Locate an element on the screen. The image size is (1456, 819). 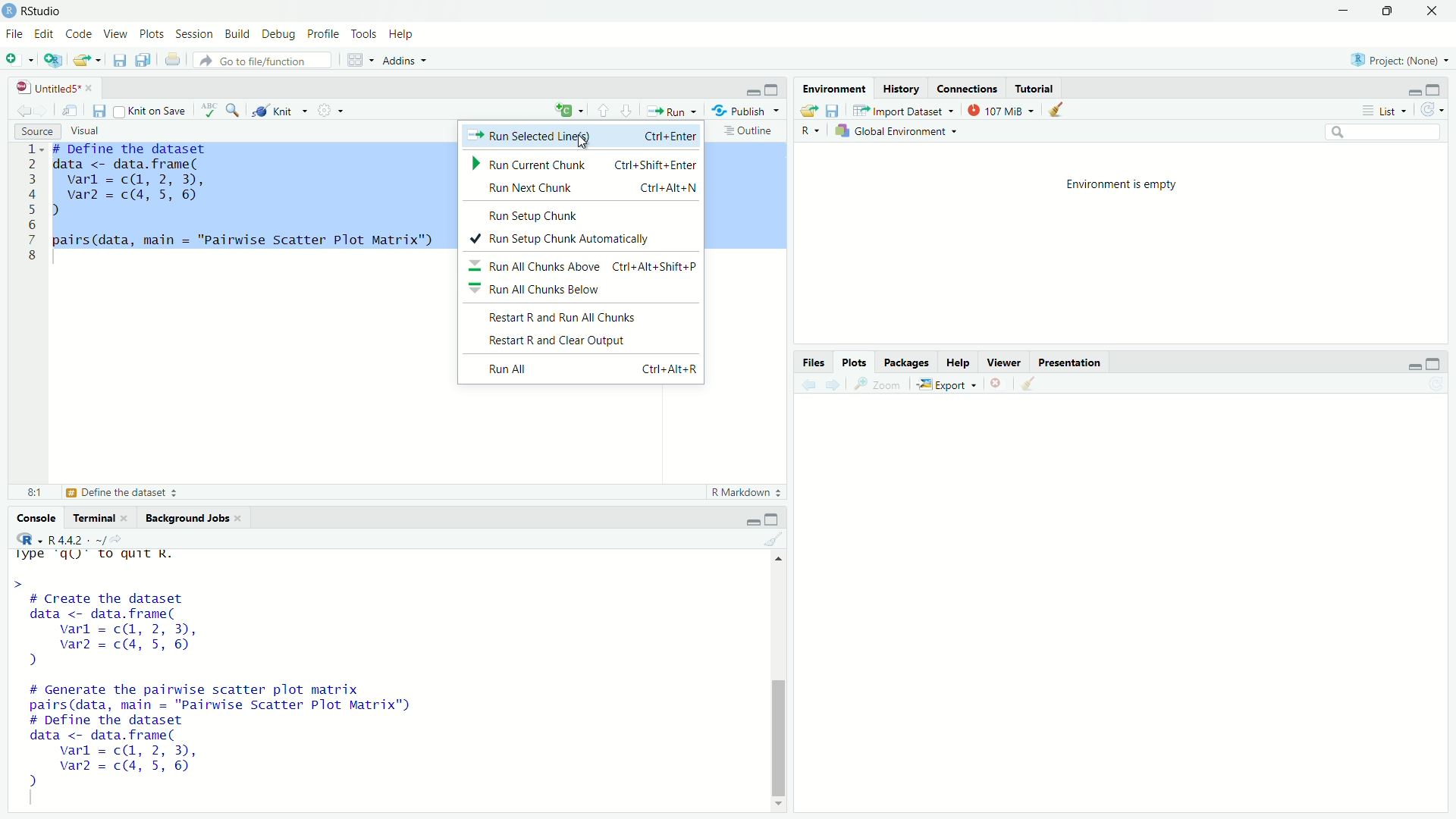
Zoom is located at coordinates (875, 382).